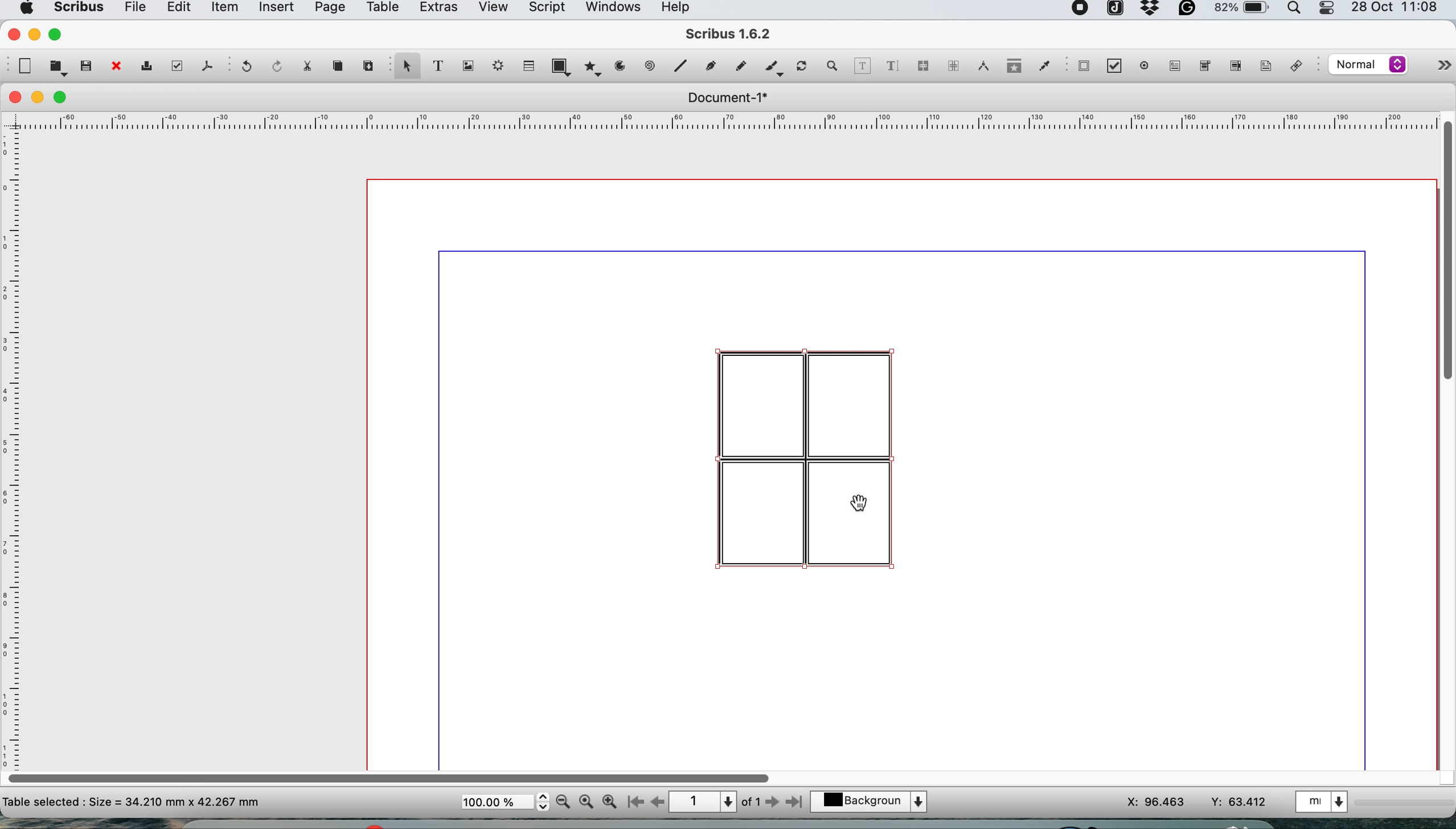 The image size is (1456, 829). What do you see at coordinates (1299, 67) in the screenshot?
I see `link annotation` at bounding box center [1299, 67].